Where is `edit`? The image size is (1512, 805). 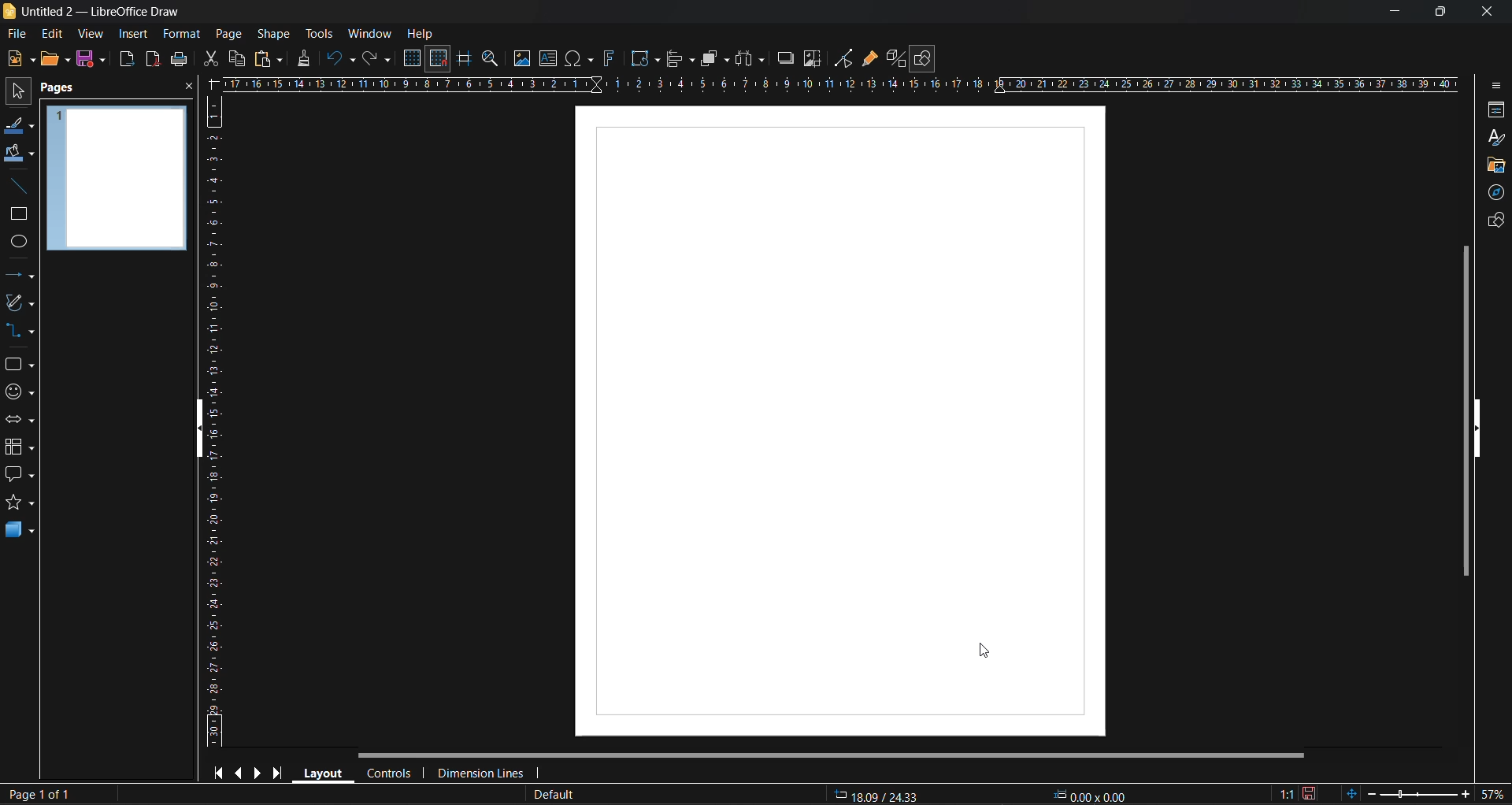 edit is located at coordinates (53, 33).